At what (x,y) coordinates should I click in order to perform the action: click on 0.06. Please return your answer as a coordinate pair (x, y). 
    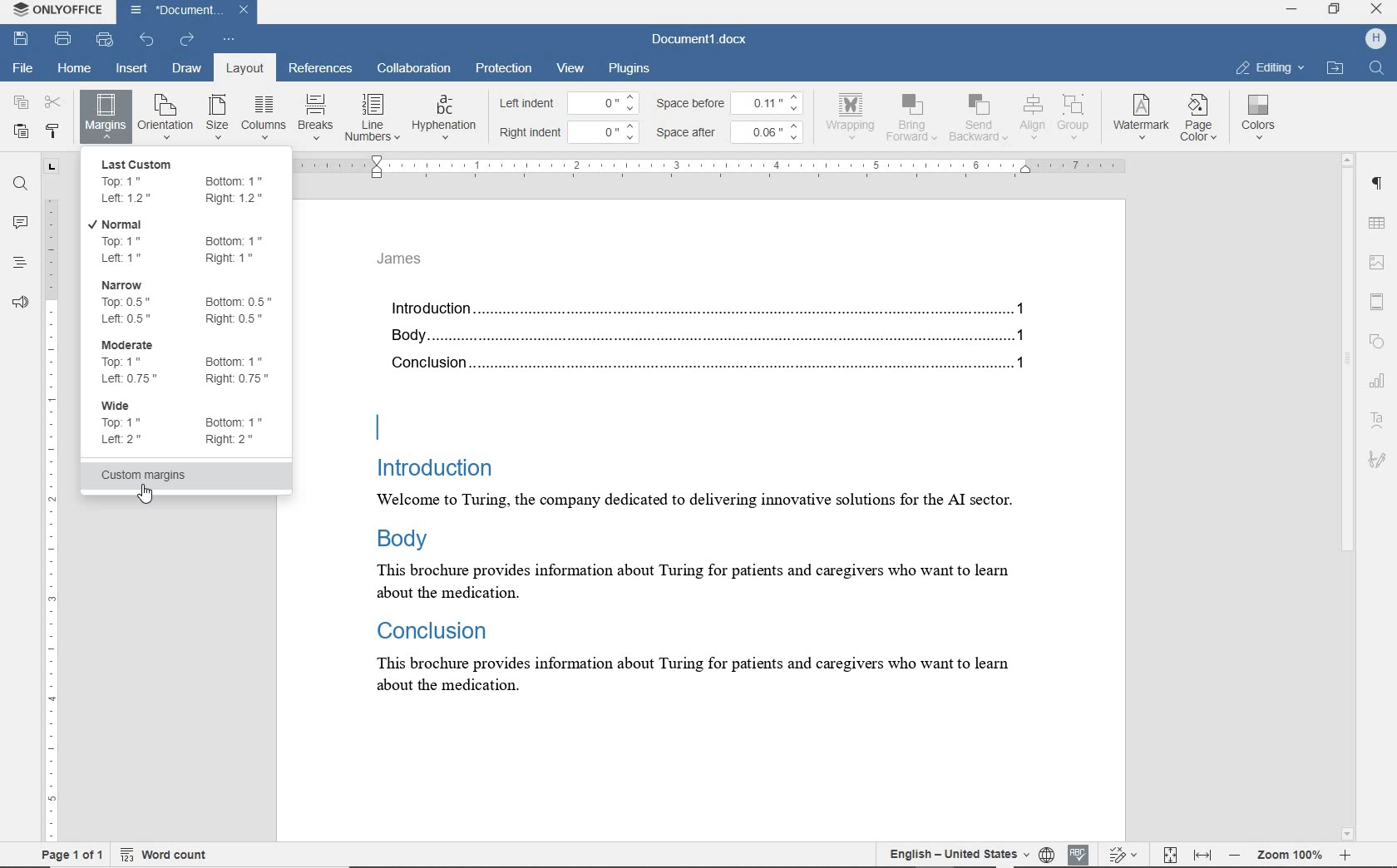
    Looking at the image, I should click on (771, 131).